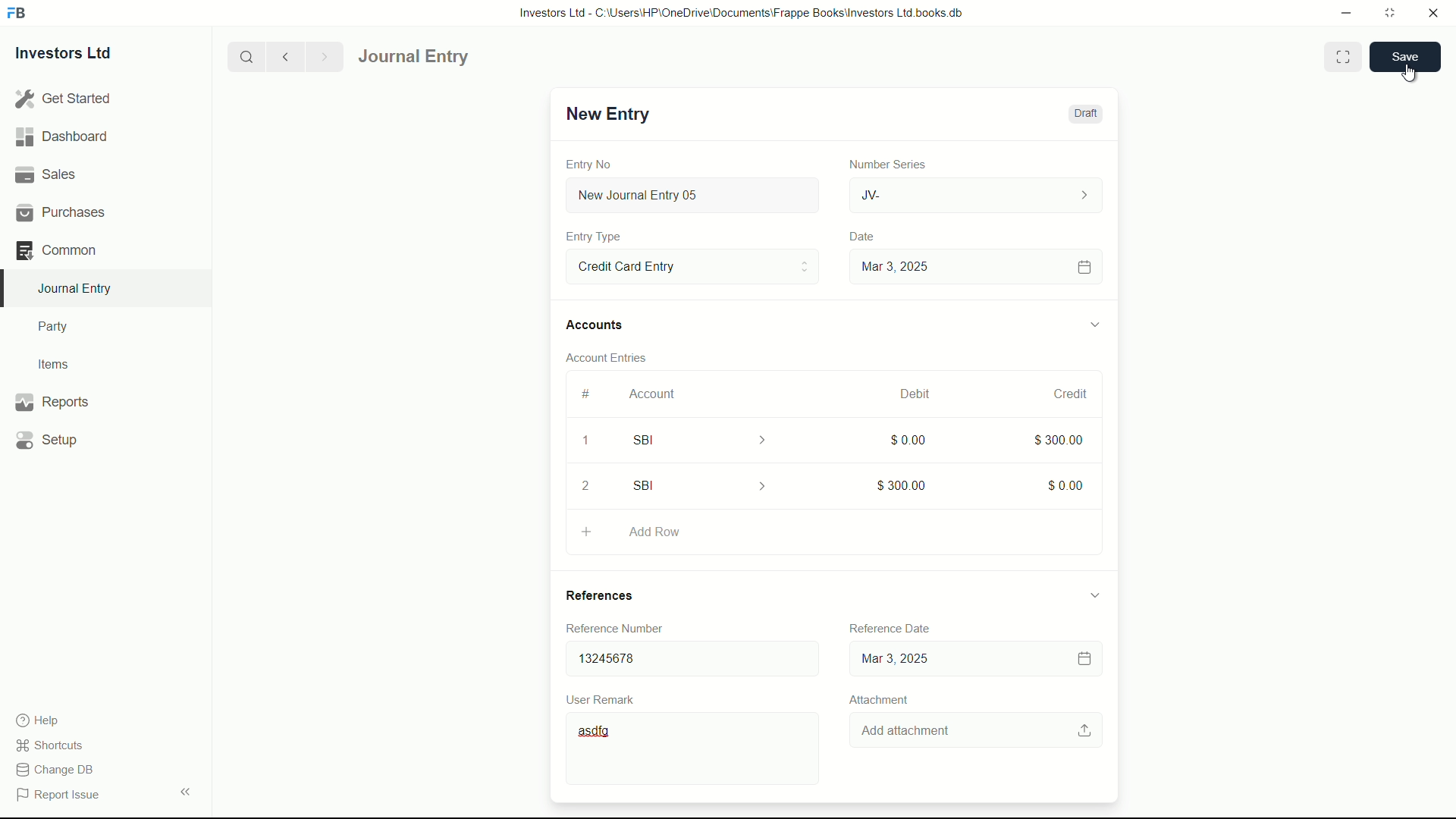  I want to click on Investors Ltd, so click(77, 55).